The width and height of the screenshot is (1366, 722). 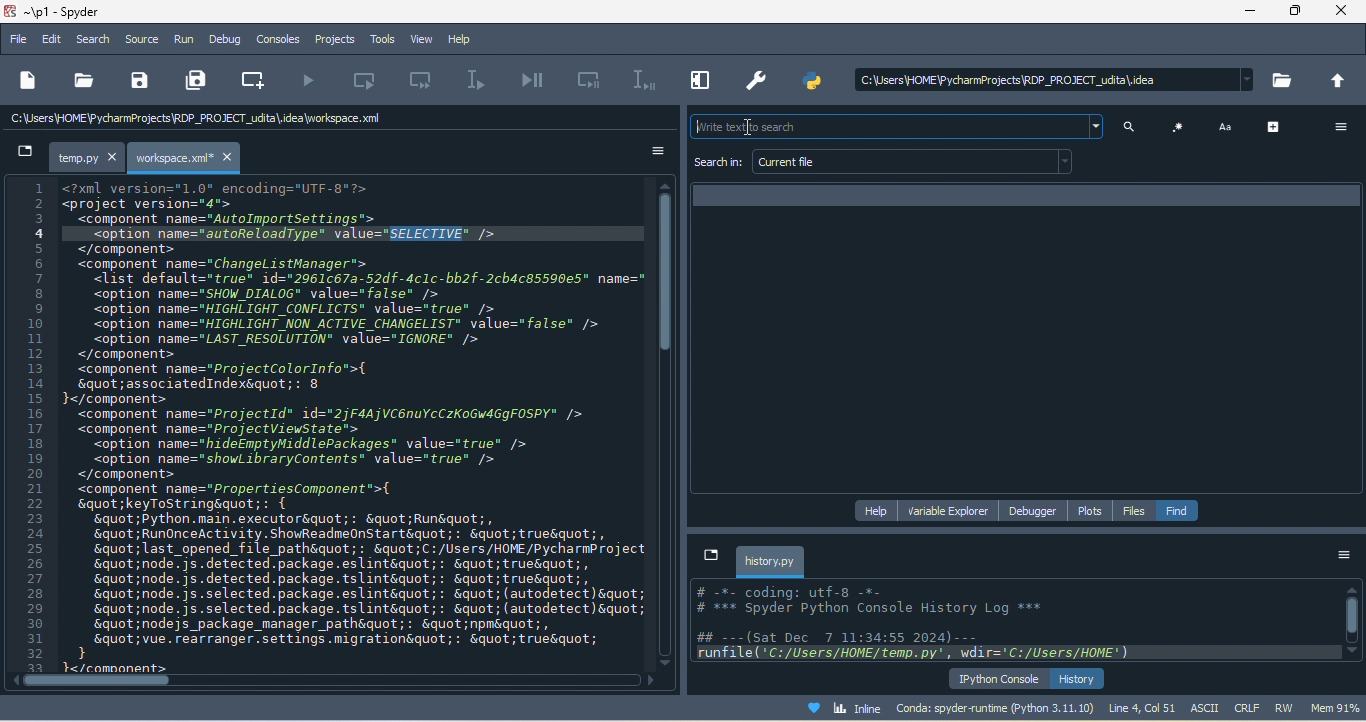 I want to click on plots, so click(x=1092, y=510).